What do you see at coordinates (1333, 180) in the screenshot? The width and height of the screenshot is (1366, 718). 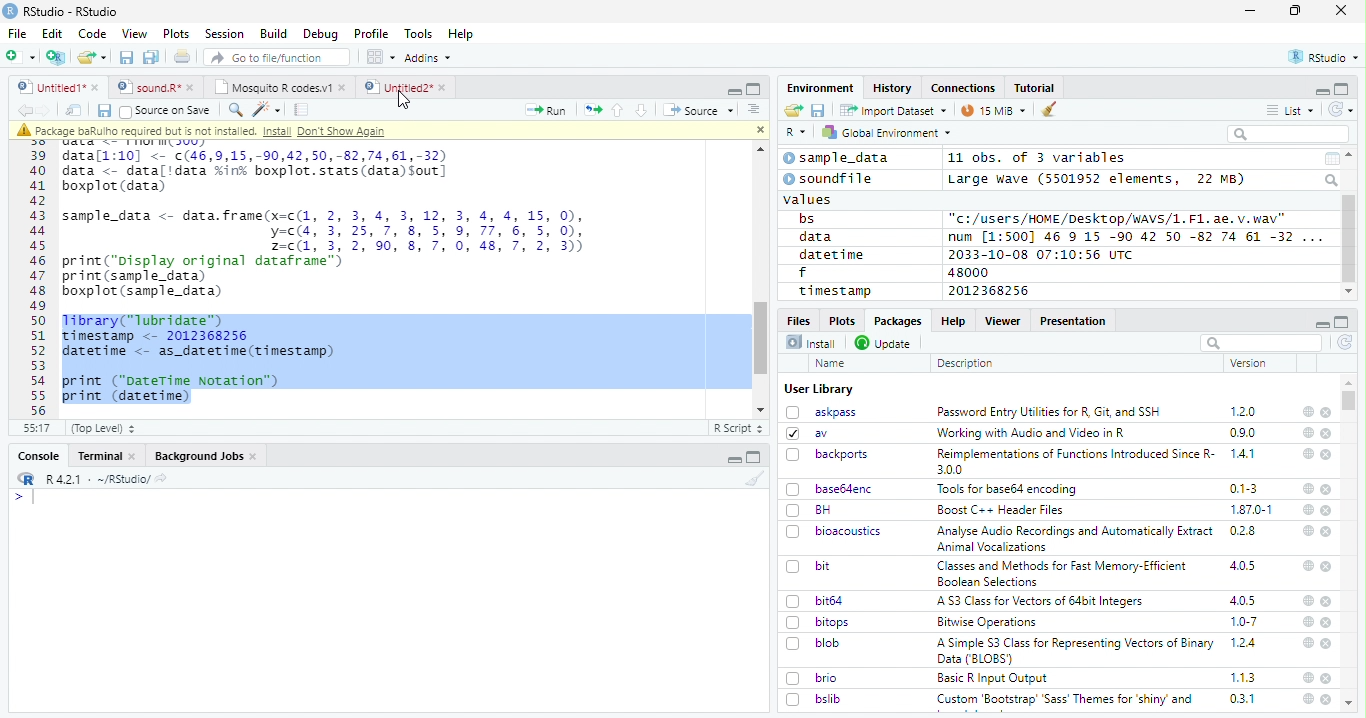 I see `Search` at bounding box center [1333, 180].